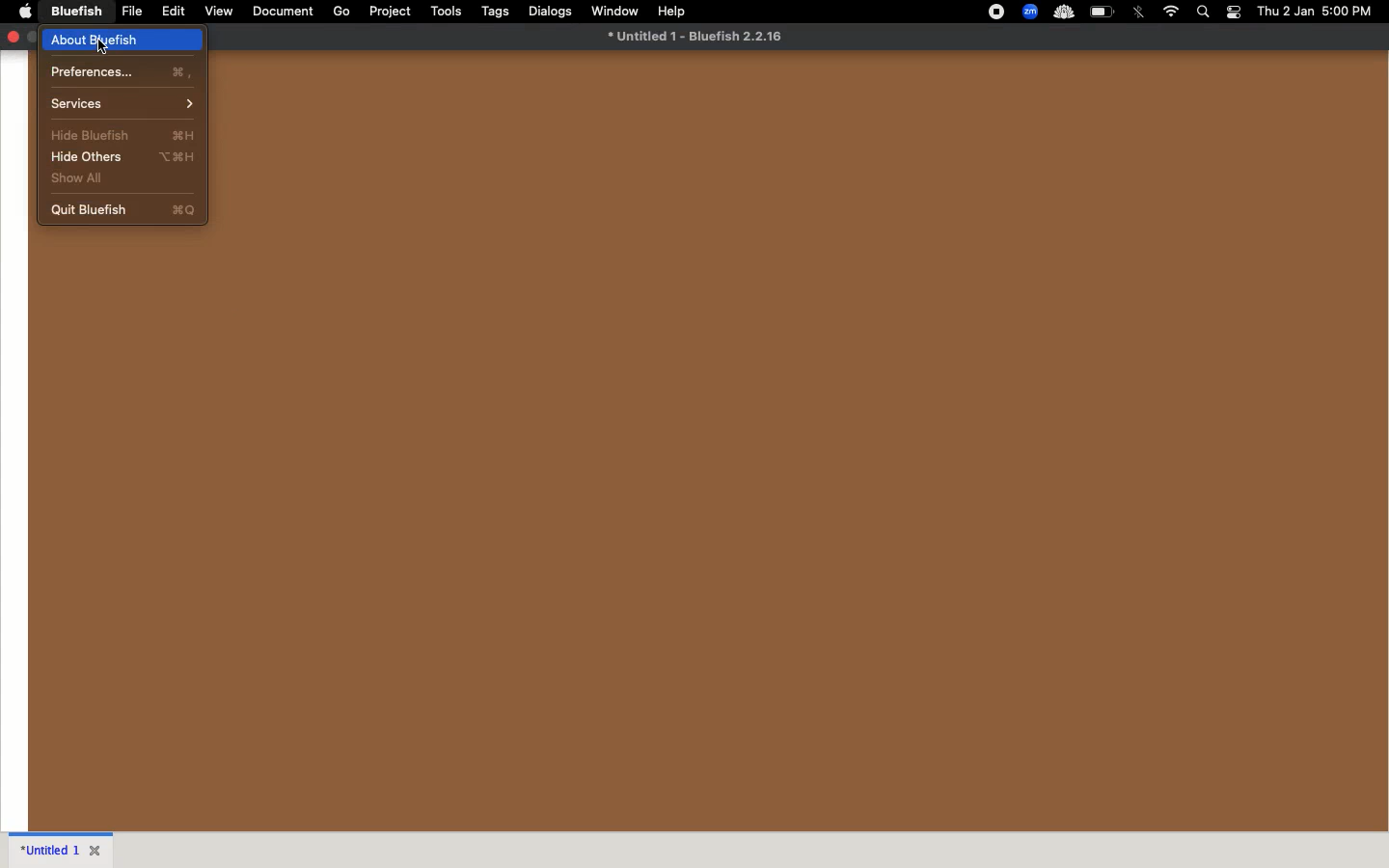 The height and width of the screenshot is (868, 1389). What do you see at coordinates (73, 12) in the screenshot?
I see `bluefish` at bounding box center [73, 12].